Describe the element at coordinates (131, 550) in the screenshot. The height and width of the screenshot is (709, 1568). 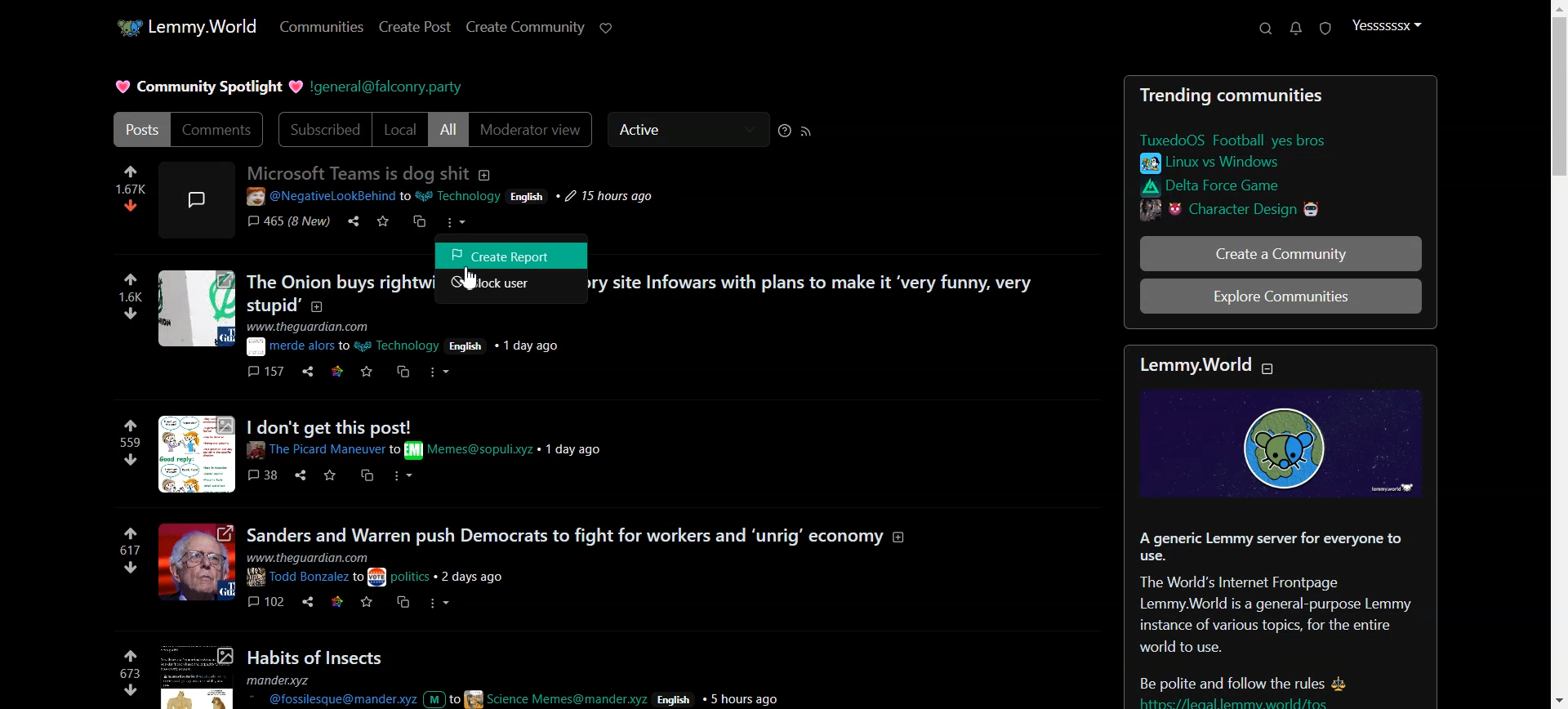
I see `numbers` at that location.